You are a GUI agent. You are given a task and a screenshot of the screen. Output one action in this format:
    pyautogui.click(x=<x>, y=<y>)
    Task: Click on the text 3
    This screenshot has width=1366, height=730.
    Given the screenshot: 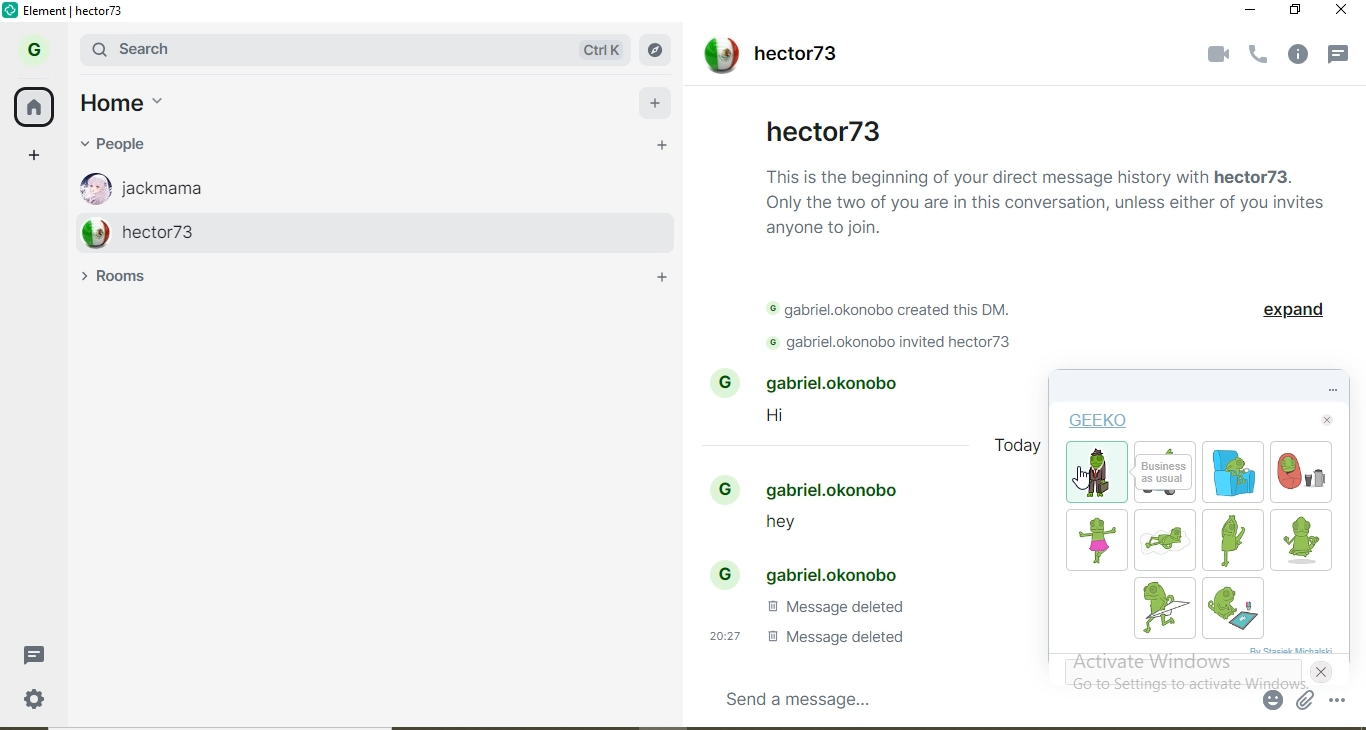 What is the action you would take?
    pyautogui.click(x=901, y=344)
    